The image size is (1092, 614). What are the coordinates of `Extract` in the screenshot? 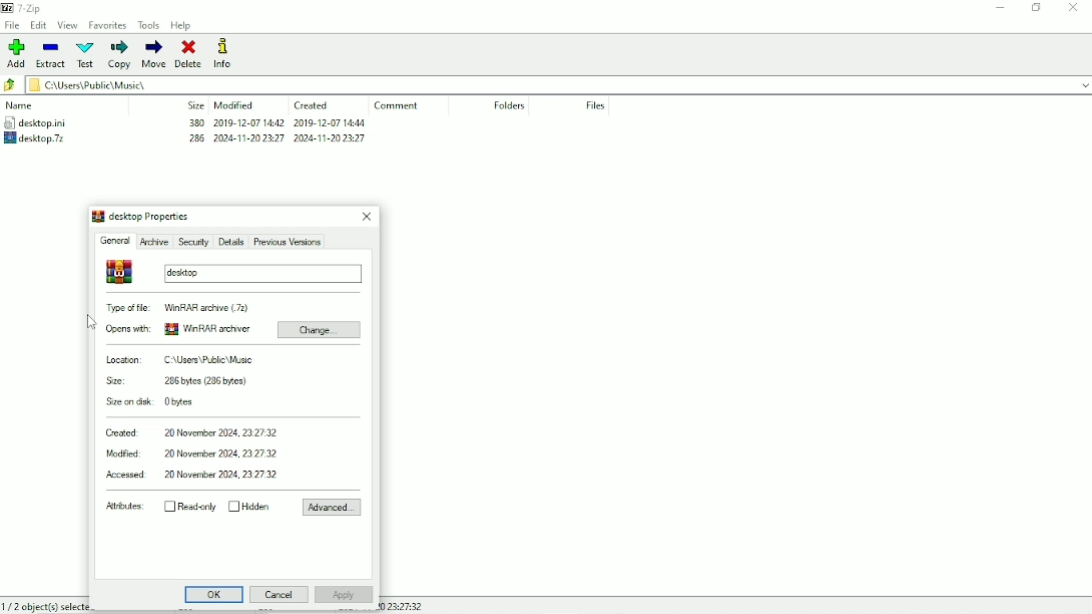 It's located at (51, 54).